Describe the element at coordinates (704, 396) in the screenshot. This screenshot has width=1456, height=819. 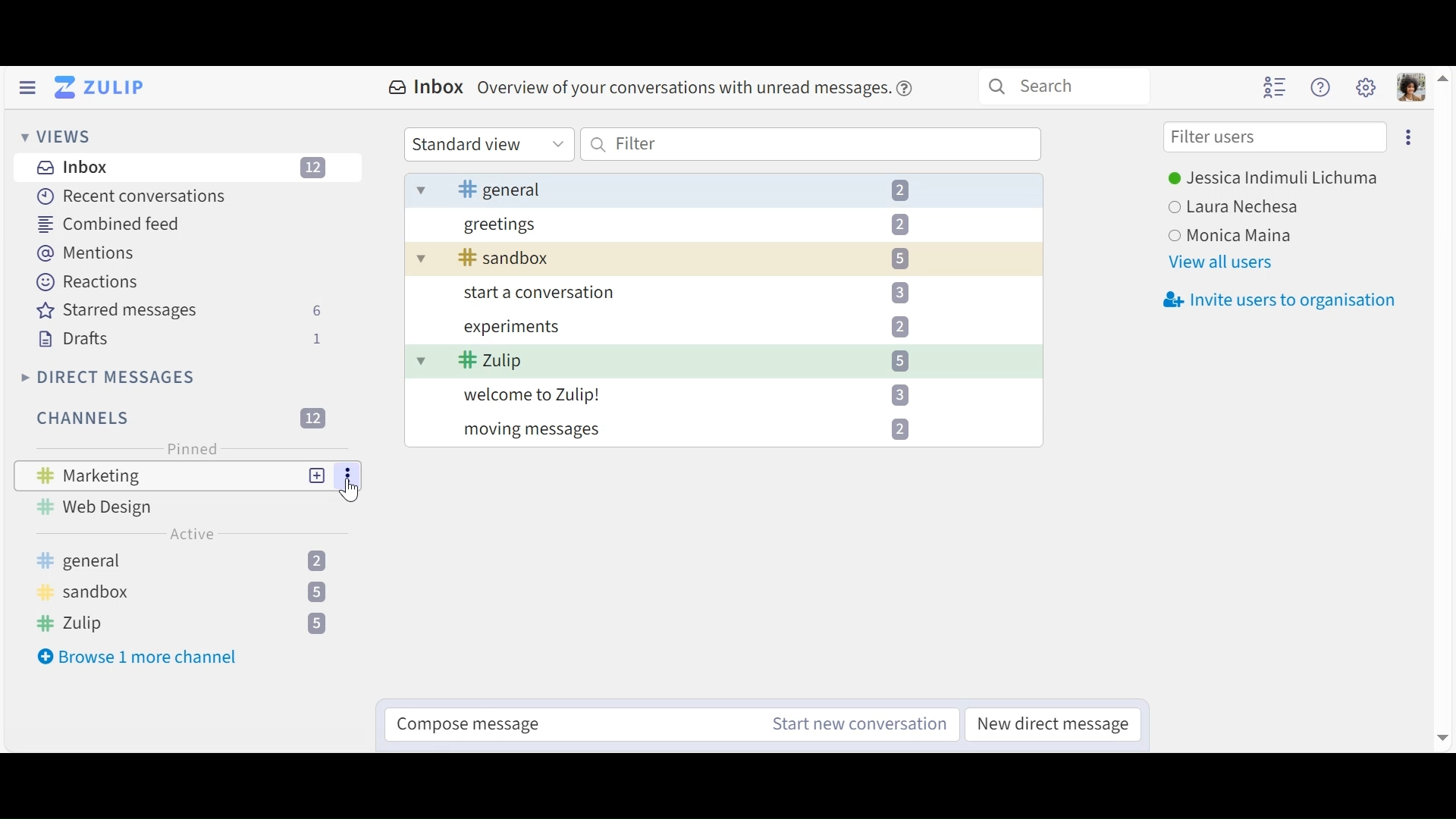
I see `welcome to Zulip!` at that location.